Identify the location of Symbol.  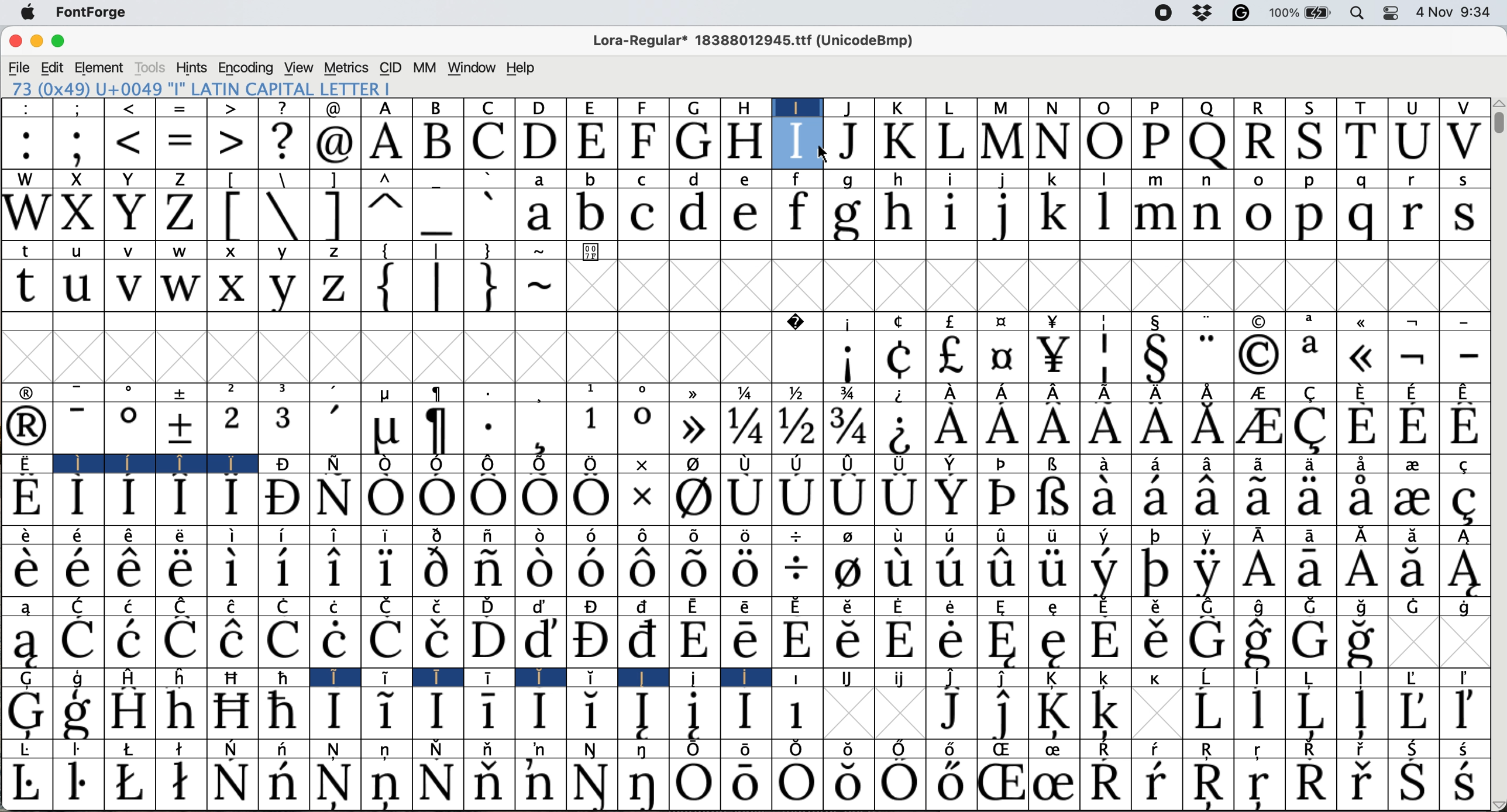
(80, 713).